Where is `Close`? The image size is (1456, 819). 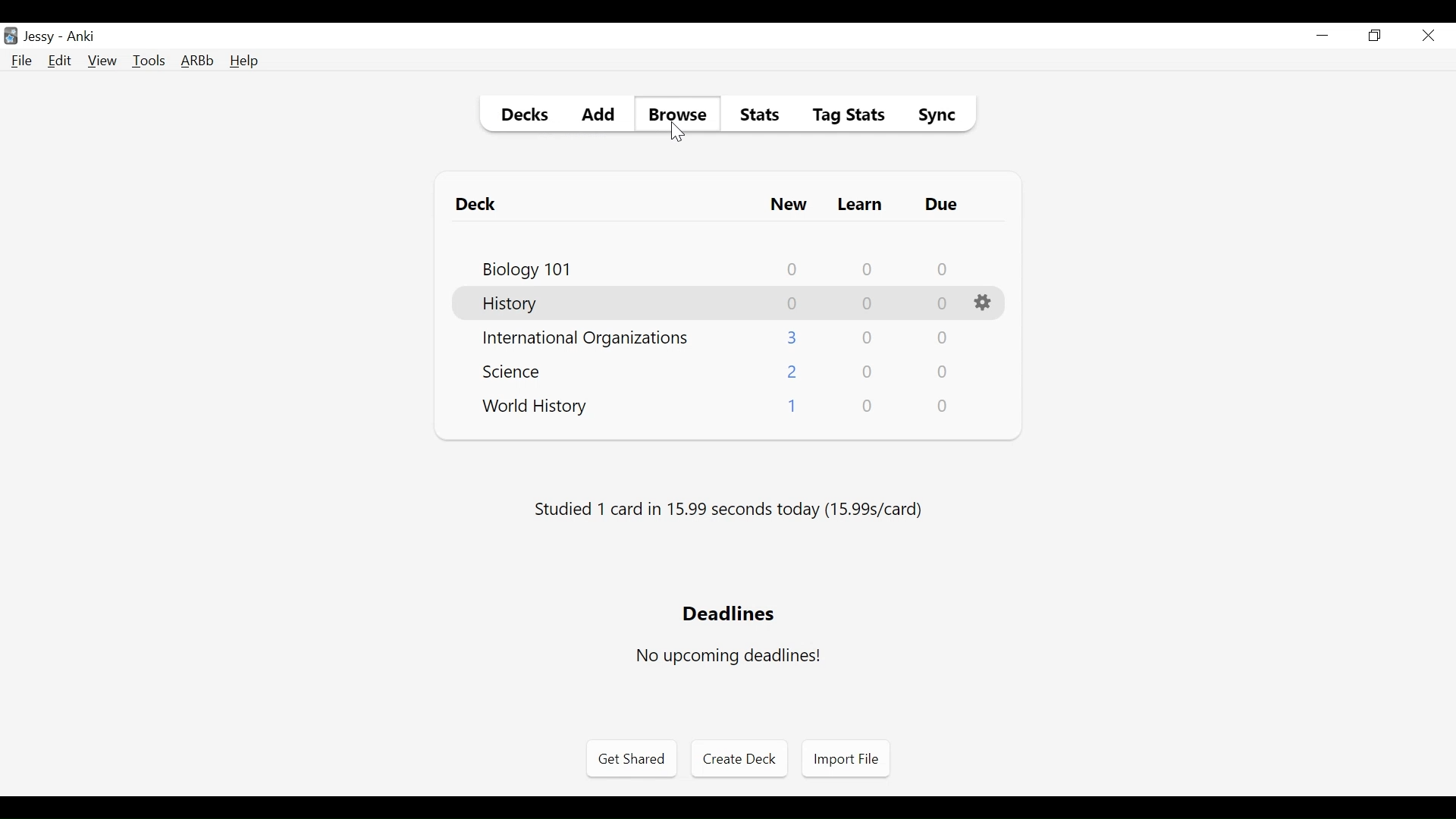 Close is located at coordinates (1426, 35).